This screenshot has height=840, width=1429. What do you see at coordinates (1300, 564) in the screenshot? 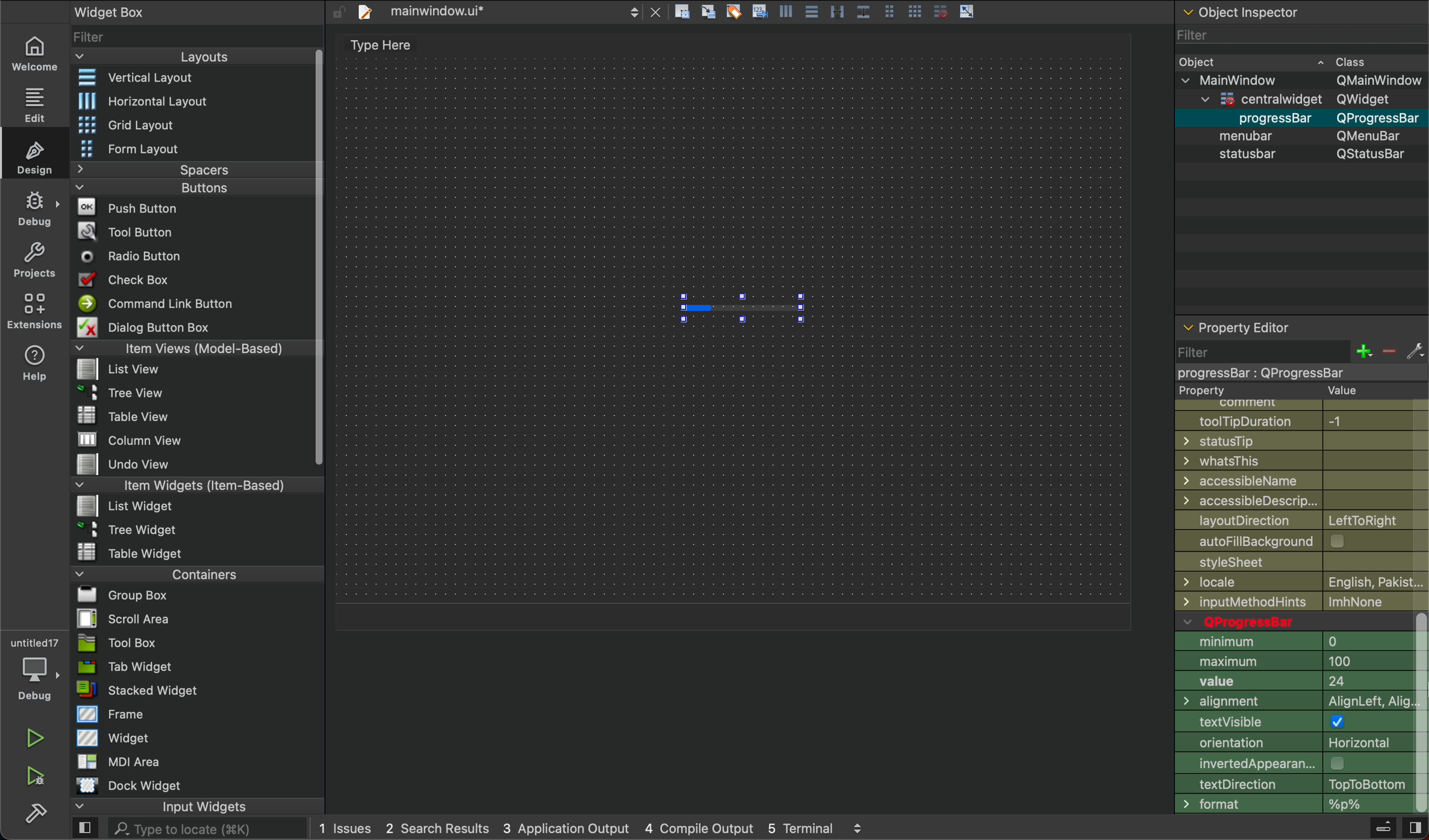
I see `file` at bounding box center [1300, 564].